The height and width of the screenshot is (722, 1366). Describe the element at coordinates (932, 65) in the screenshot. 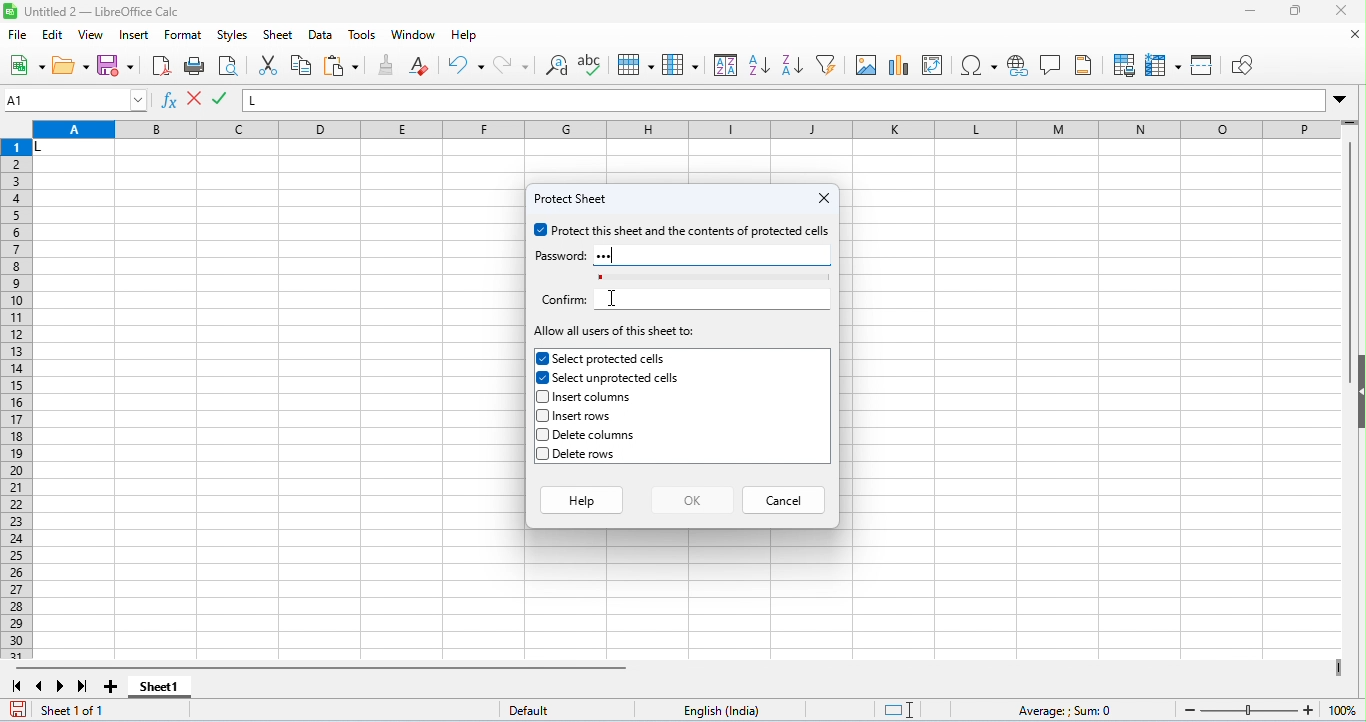

I see `insert / add pivot table` at that location.